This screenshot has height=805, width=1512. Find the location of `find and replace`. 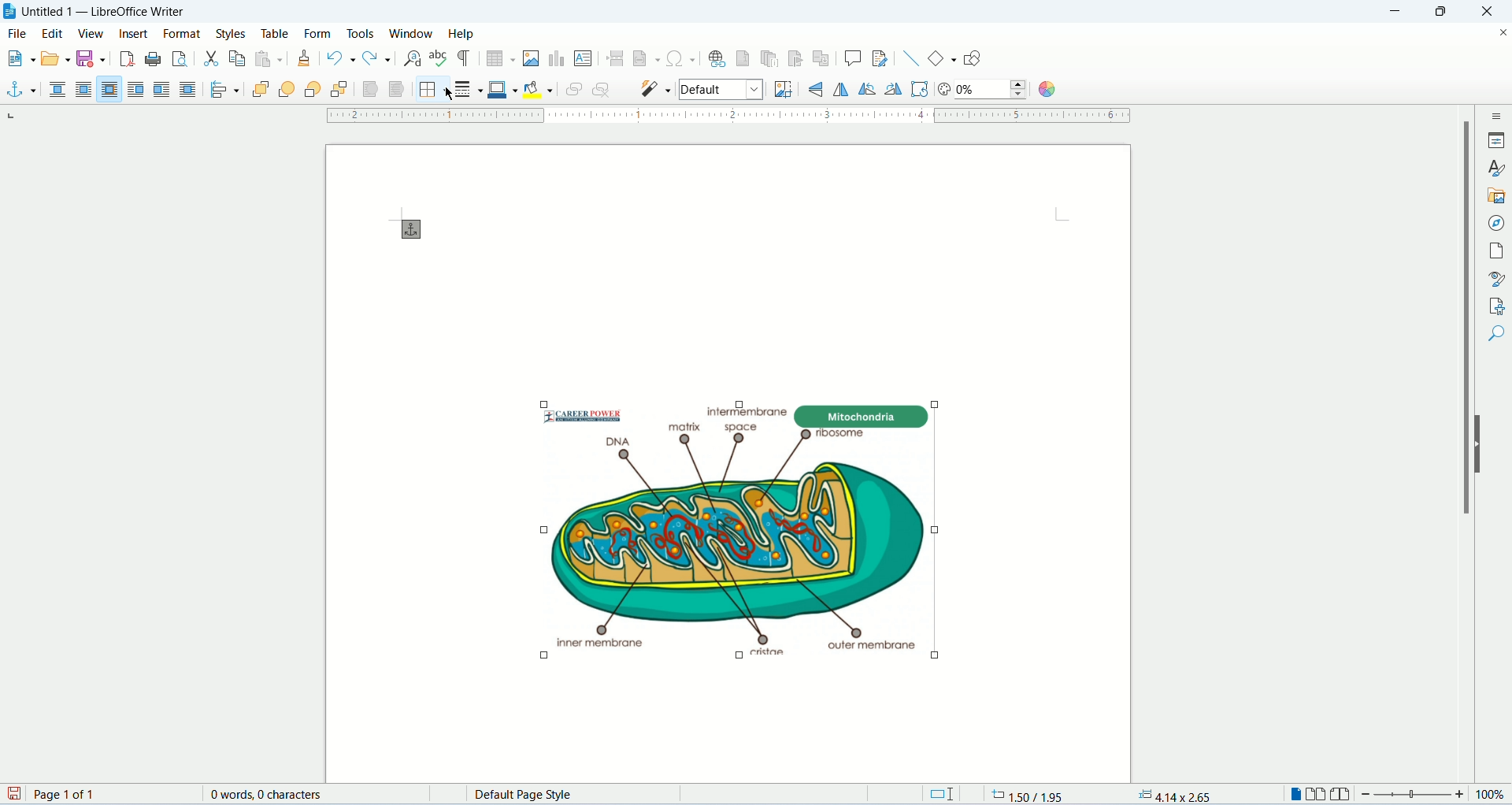

find and replace is located at coordinates (413, 59).